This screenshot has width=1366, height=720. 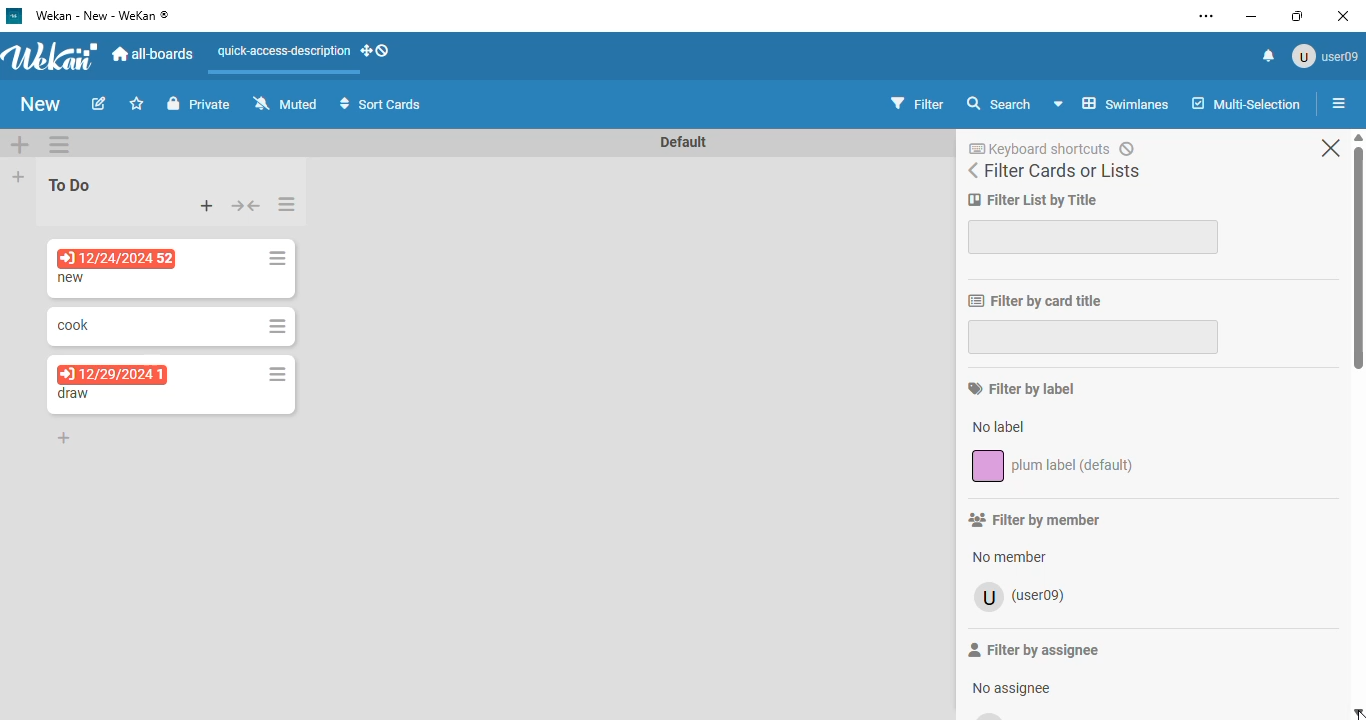 What do you see at coordinates (41, 104) in the screenshot?
I see `board name` at bounding box center [41, 104].